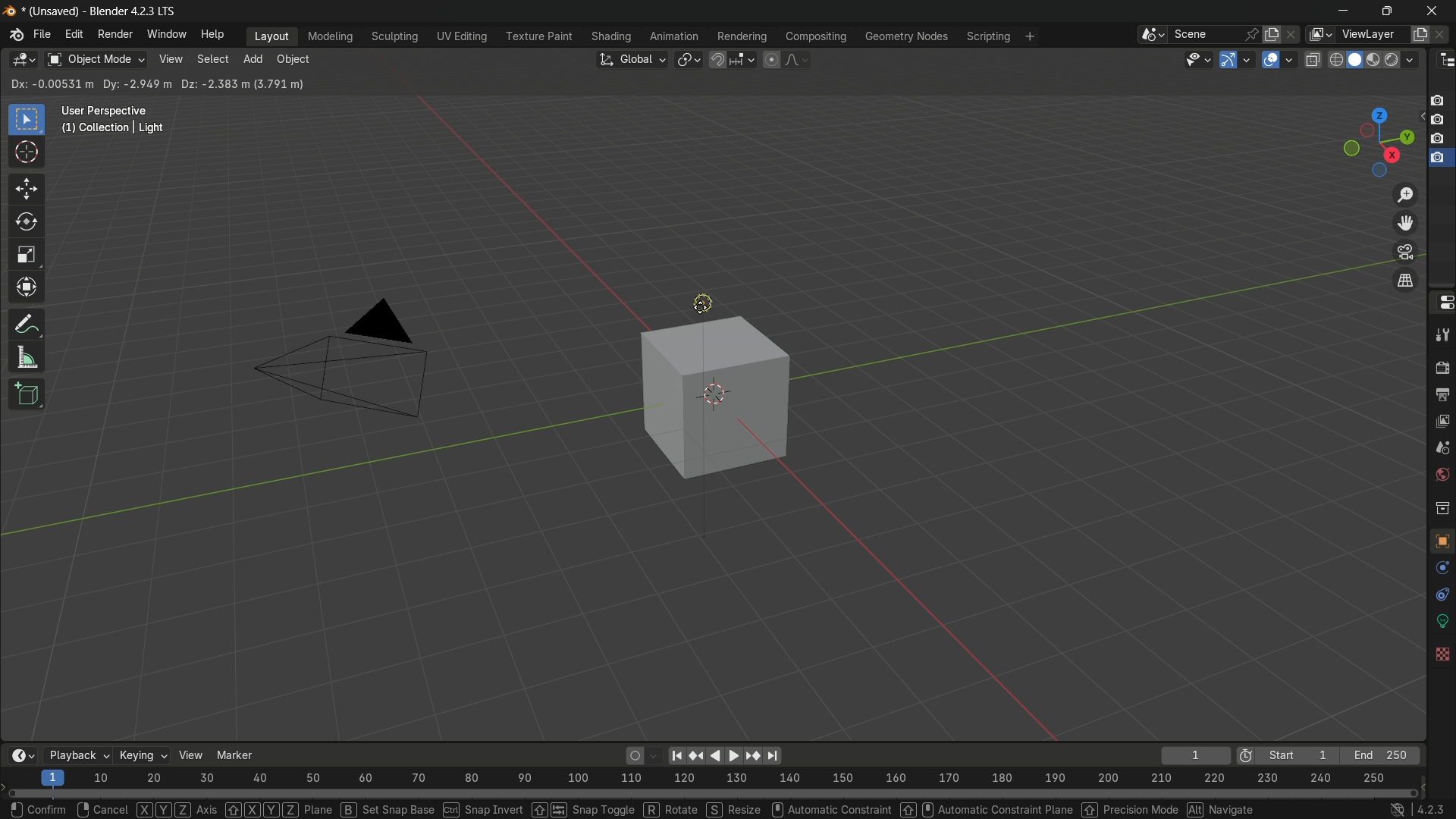  I want to click on texture paint menu, so click(542, 36).